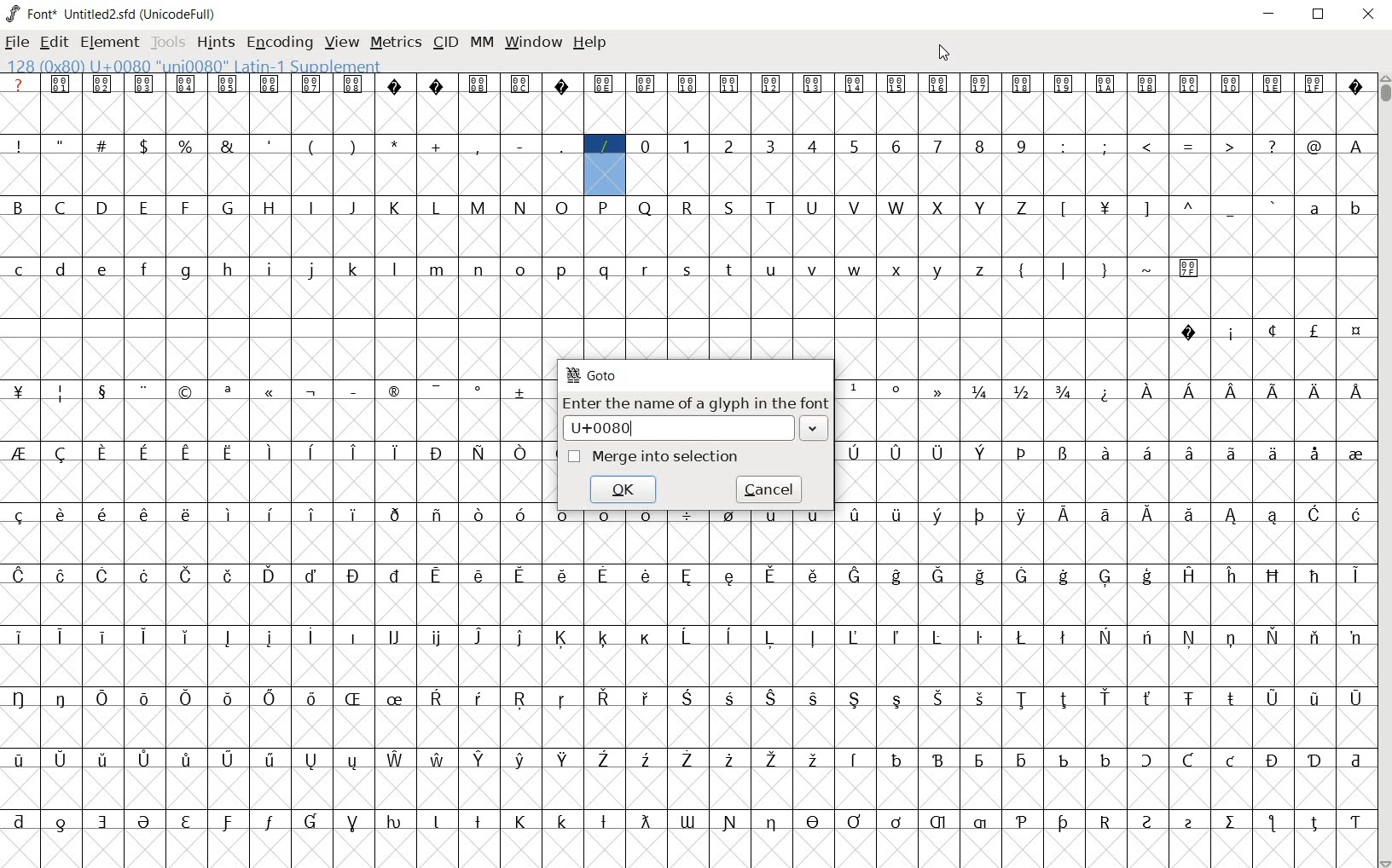 The width and height of the screenshot is (1392, 868). Describe the element at coordinates (1022, 637) in the screenshot. I see `glyph` at that location.